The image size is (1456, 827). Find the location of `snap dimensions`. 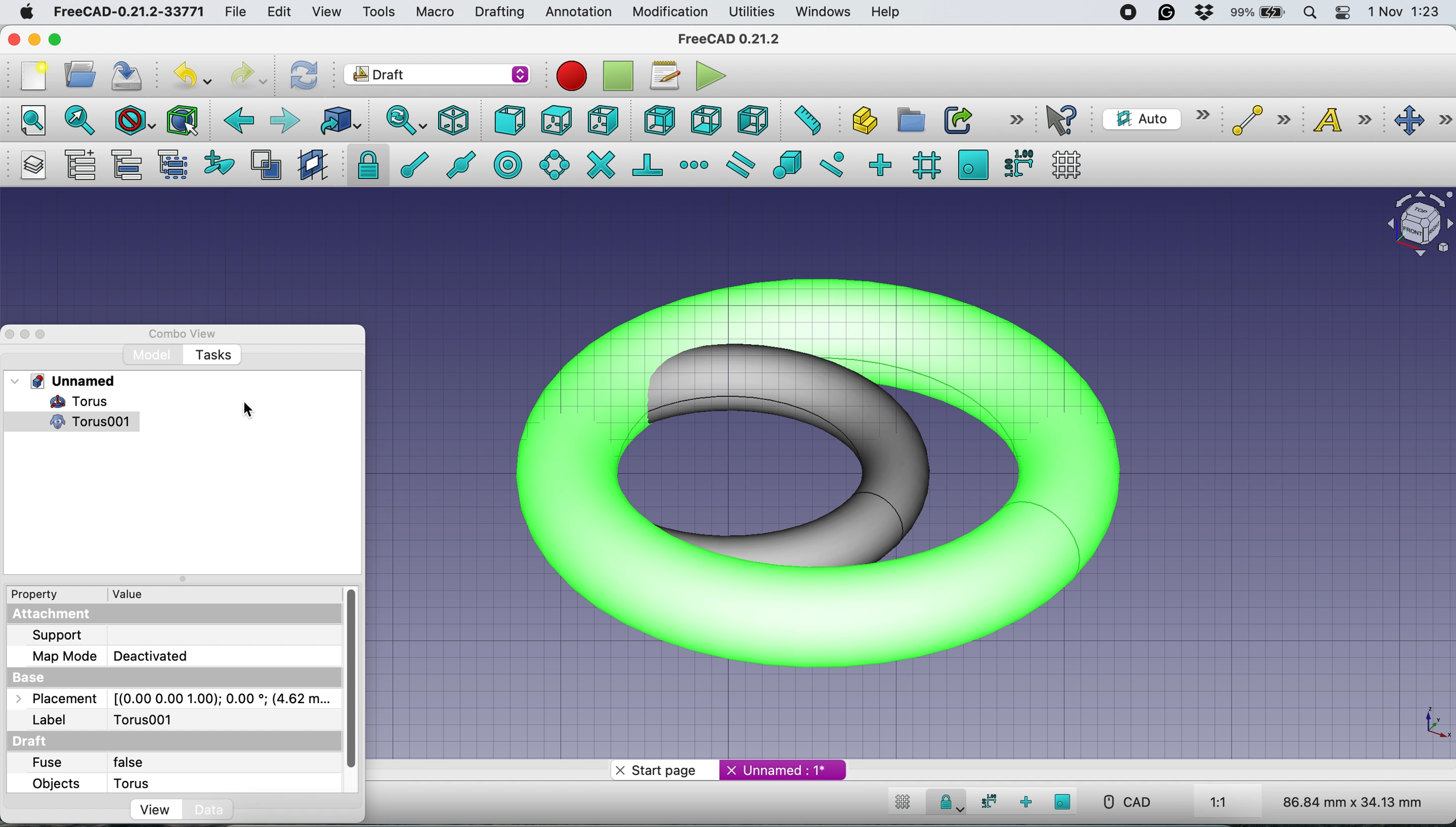

snap dimensions is located at coordinates (987, 801).